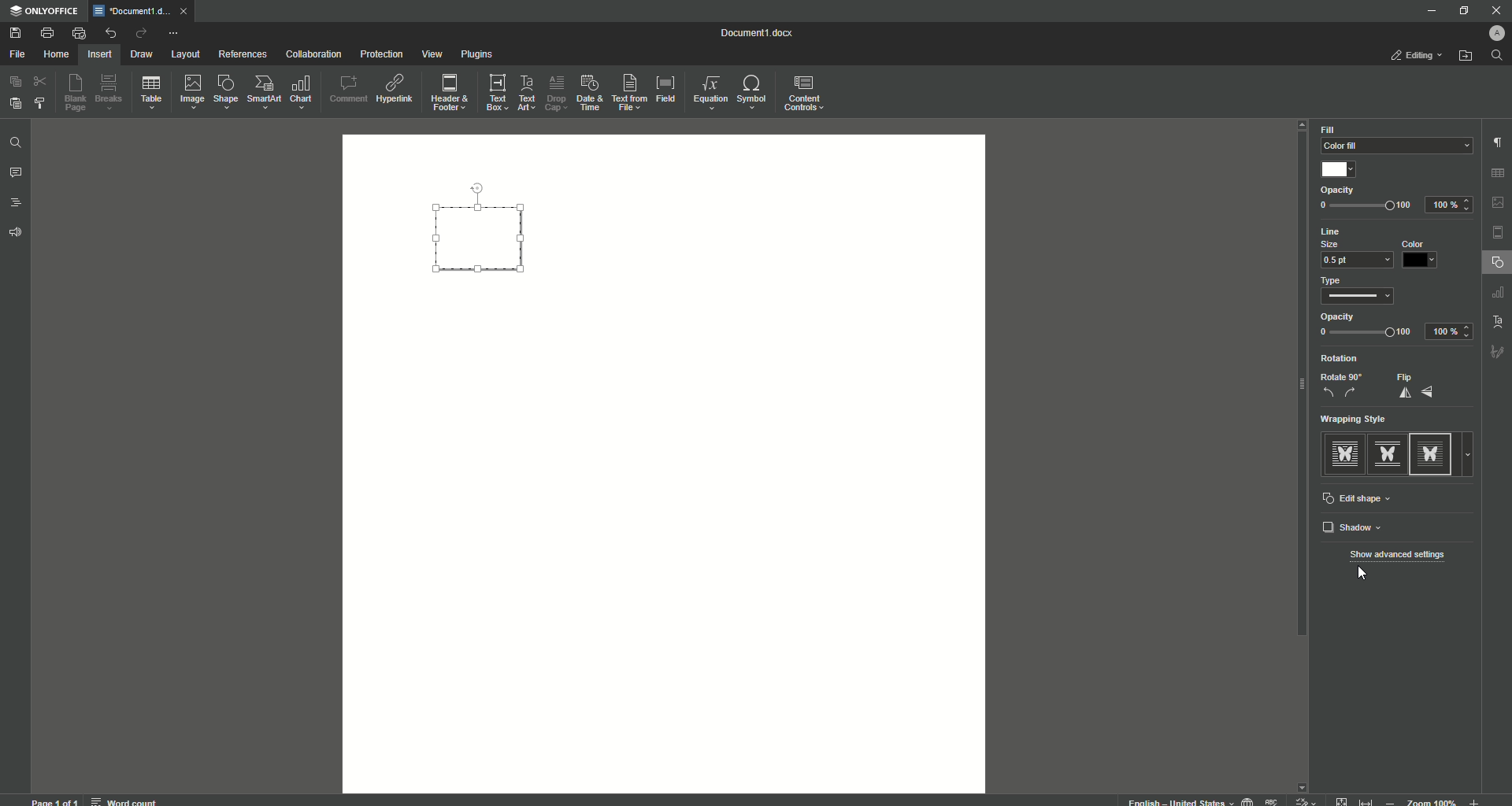  I want to click on table, so click(1499, 294).